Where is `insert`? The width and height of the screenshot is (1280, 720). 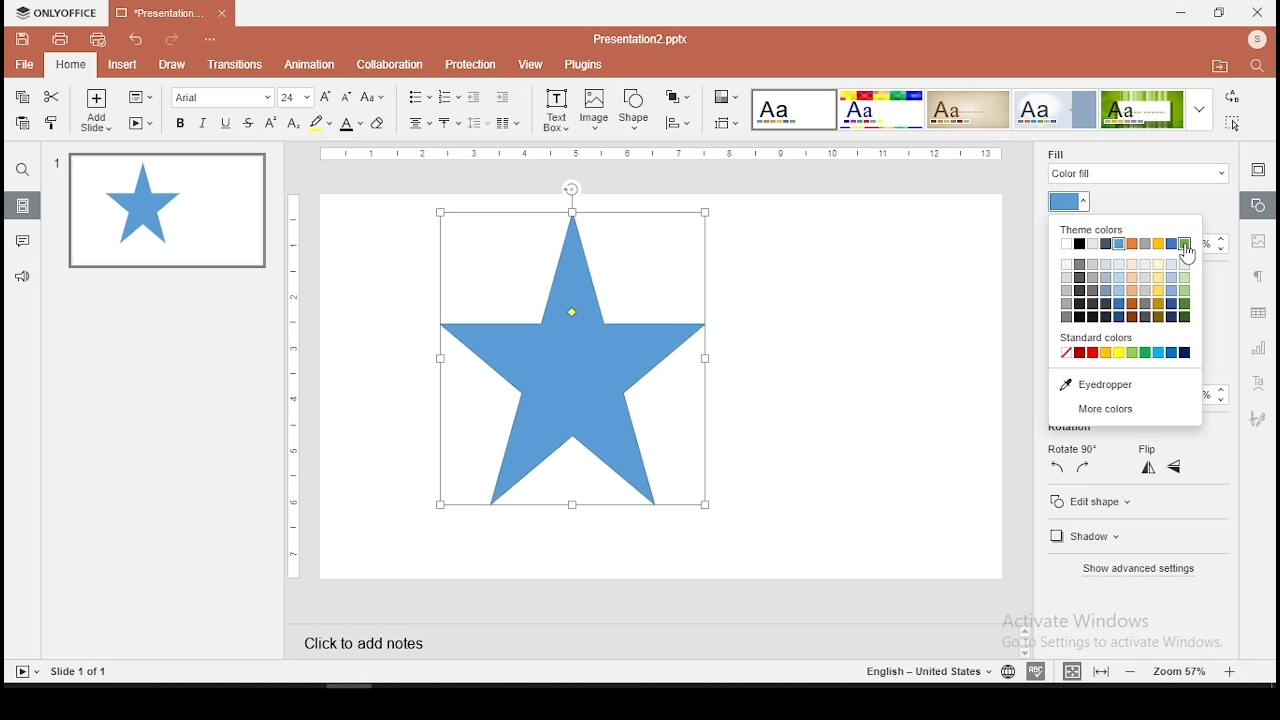
insert is located at coordinates (121, 63).